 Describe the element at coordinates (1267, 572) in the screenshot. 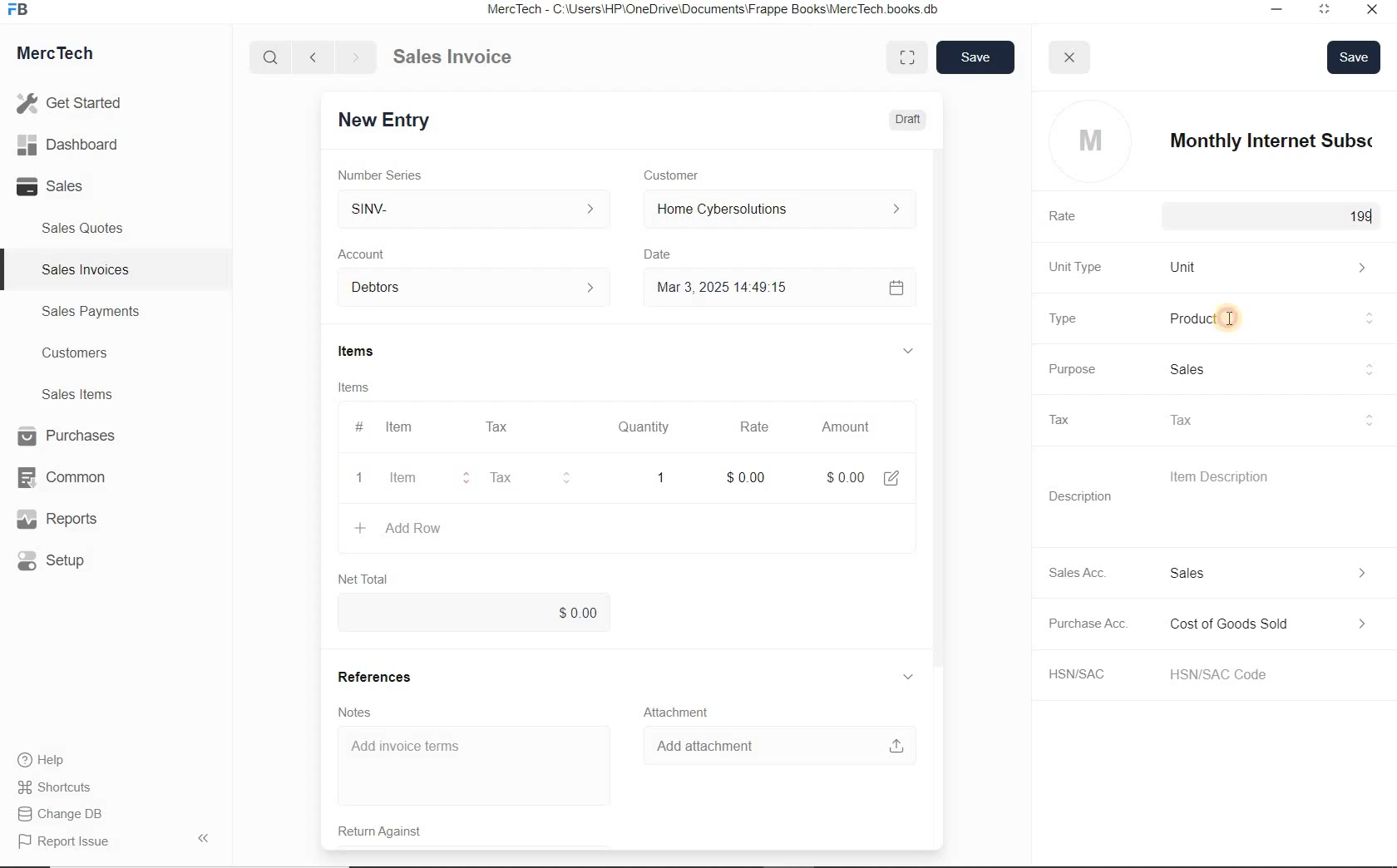

I see `Income` at that location.